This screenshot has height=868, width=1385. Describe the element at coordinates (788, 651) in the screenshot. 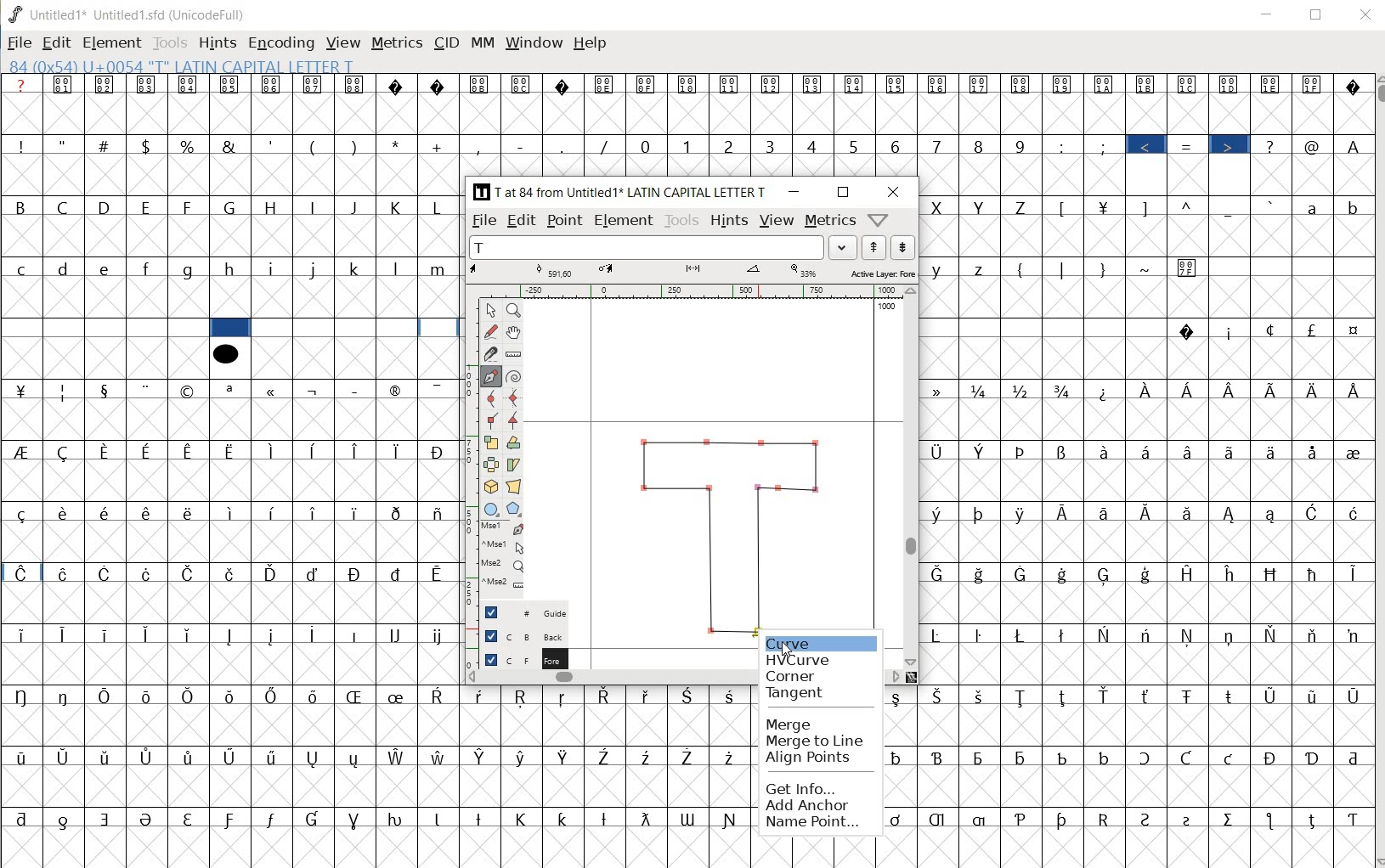

I see `cursor` at that location.